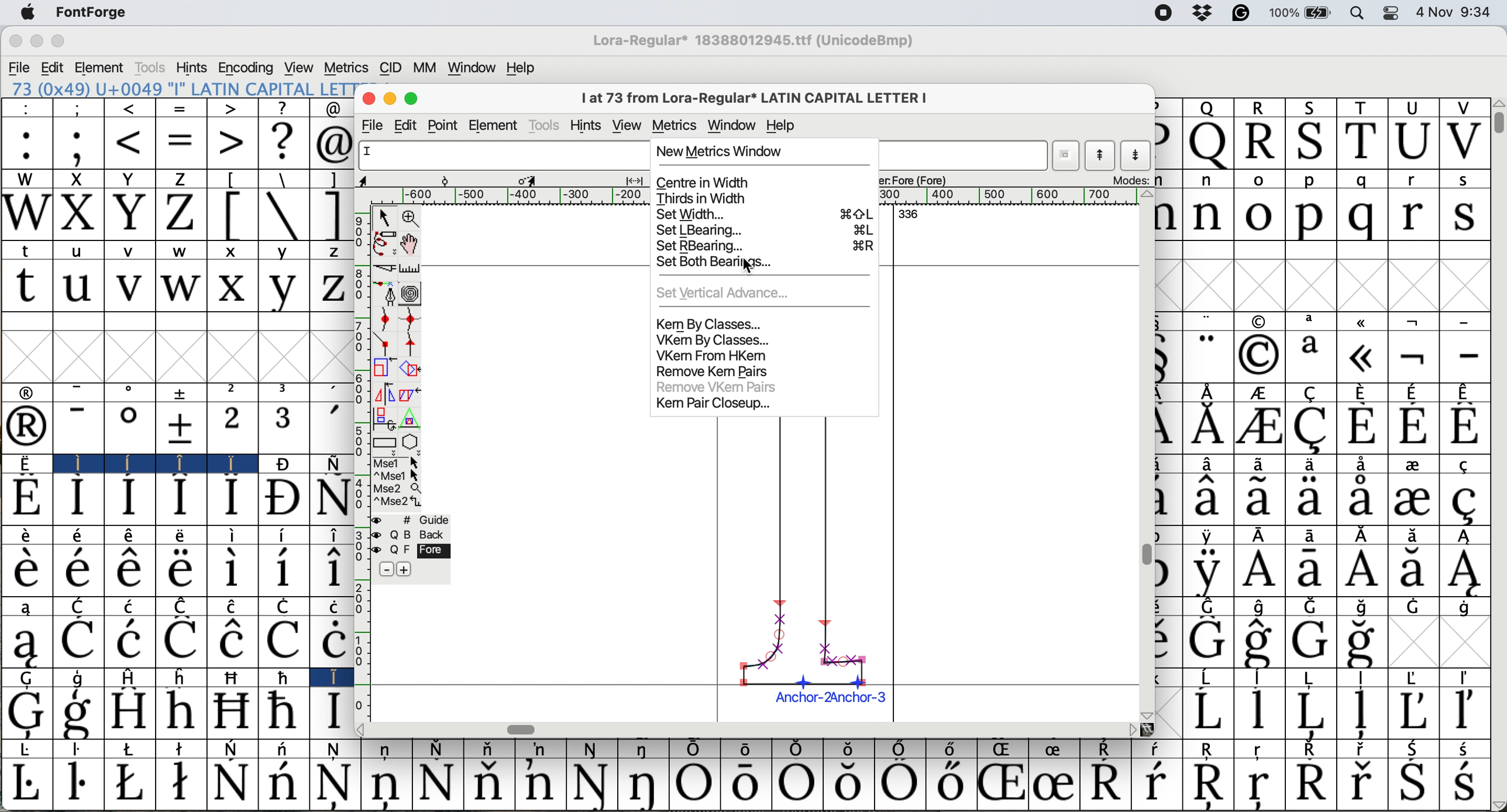  Describe the element at coordinates (411, 267) in the screenshot. I see `measure distance` at that location.